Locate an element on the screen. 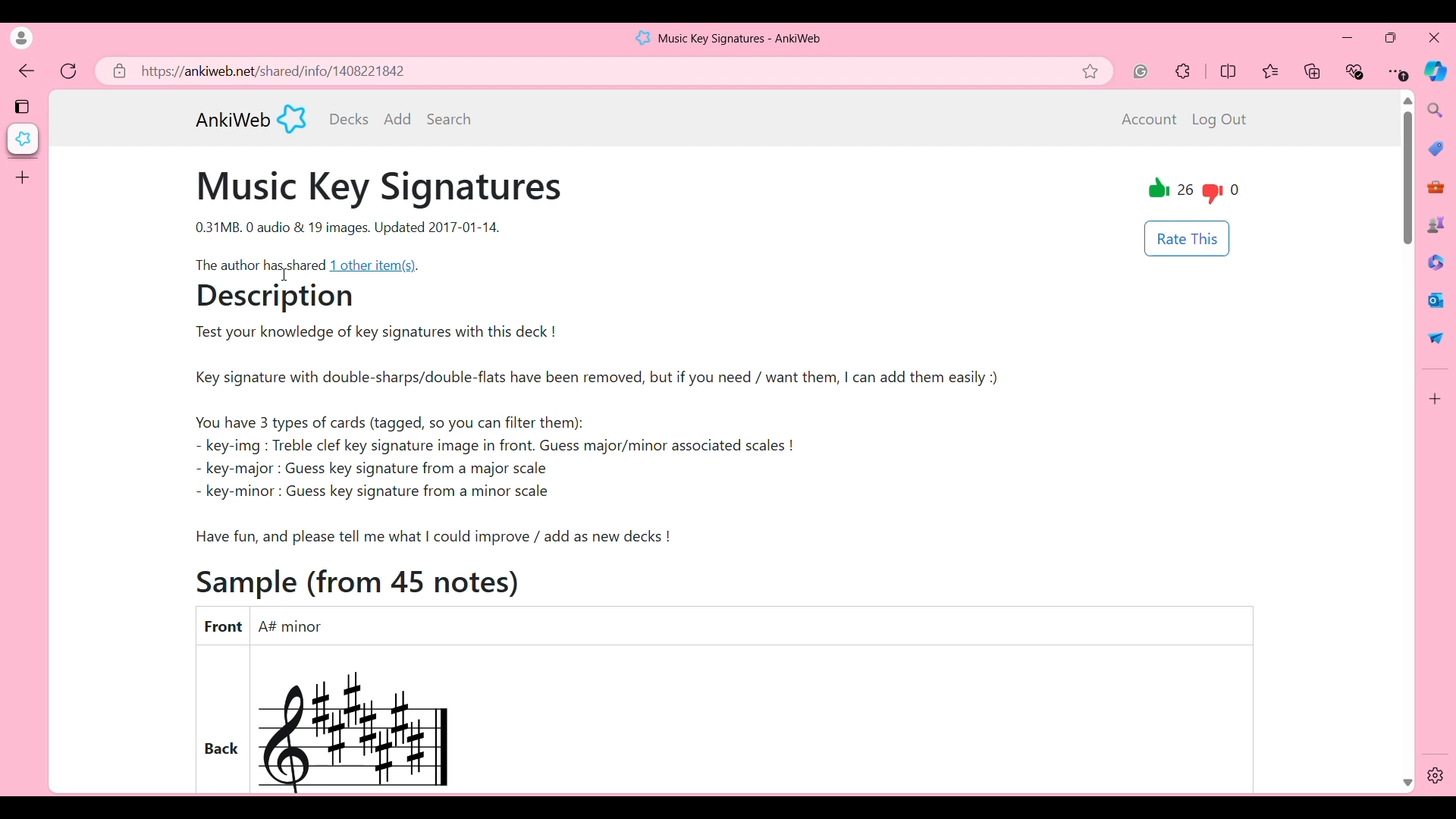  0.31MB. 0 audio & 19 images. Updated 2017-01-14. is located at coordinates (352, 228).